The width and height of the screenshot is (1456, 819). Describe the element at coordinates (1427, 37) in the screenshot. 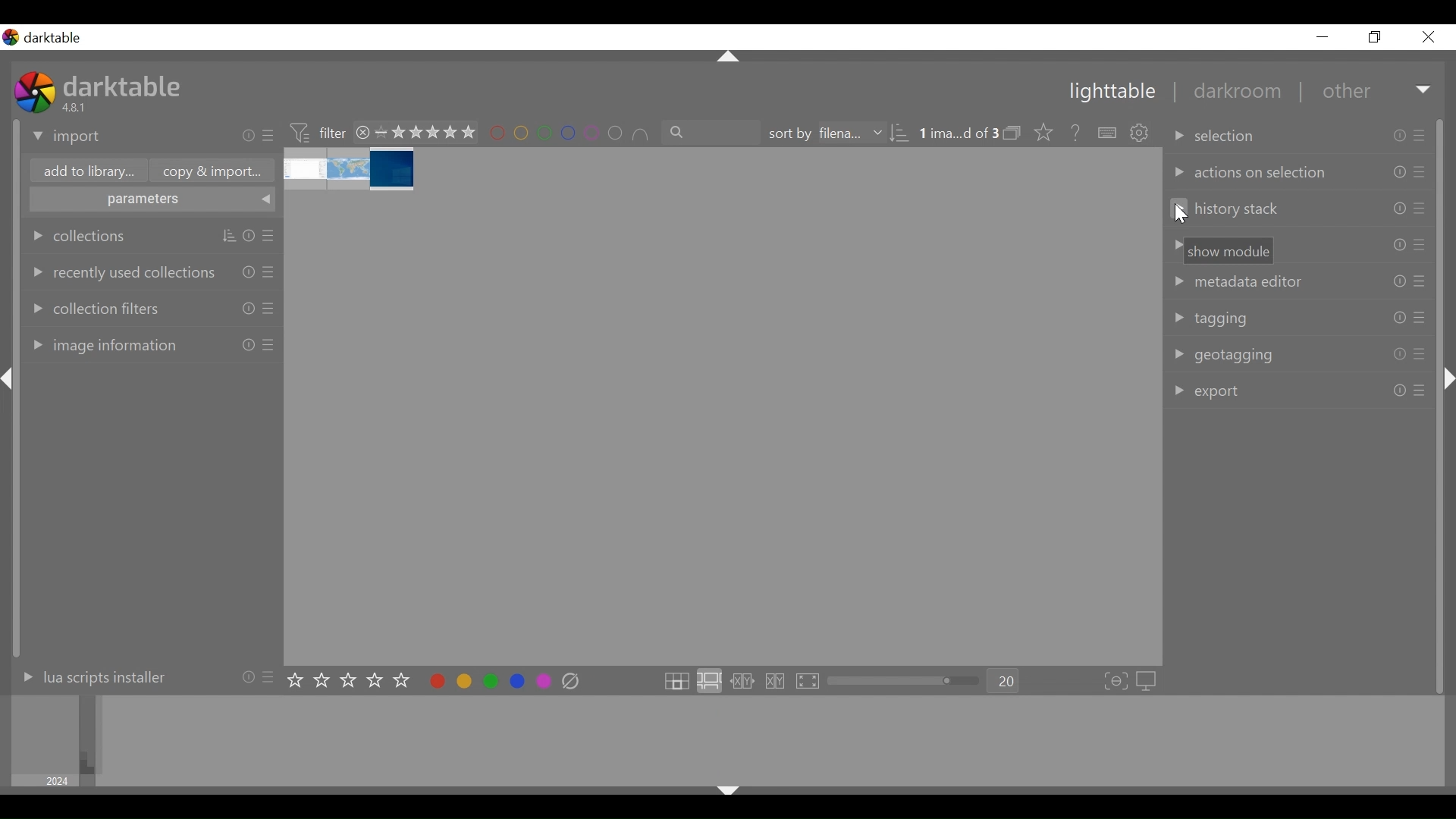

I see `close` at that location.